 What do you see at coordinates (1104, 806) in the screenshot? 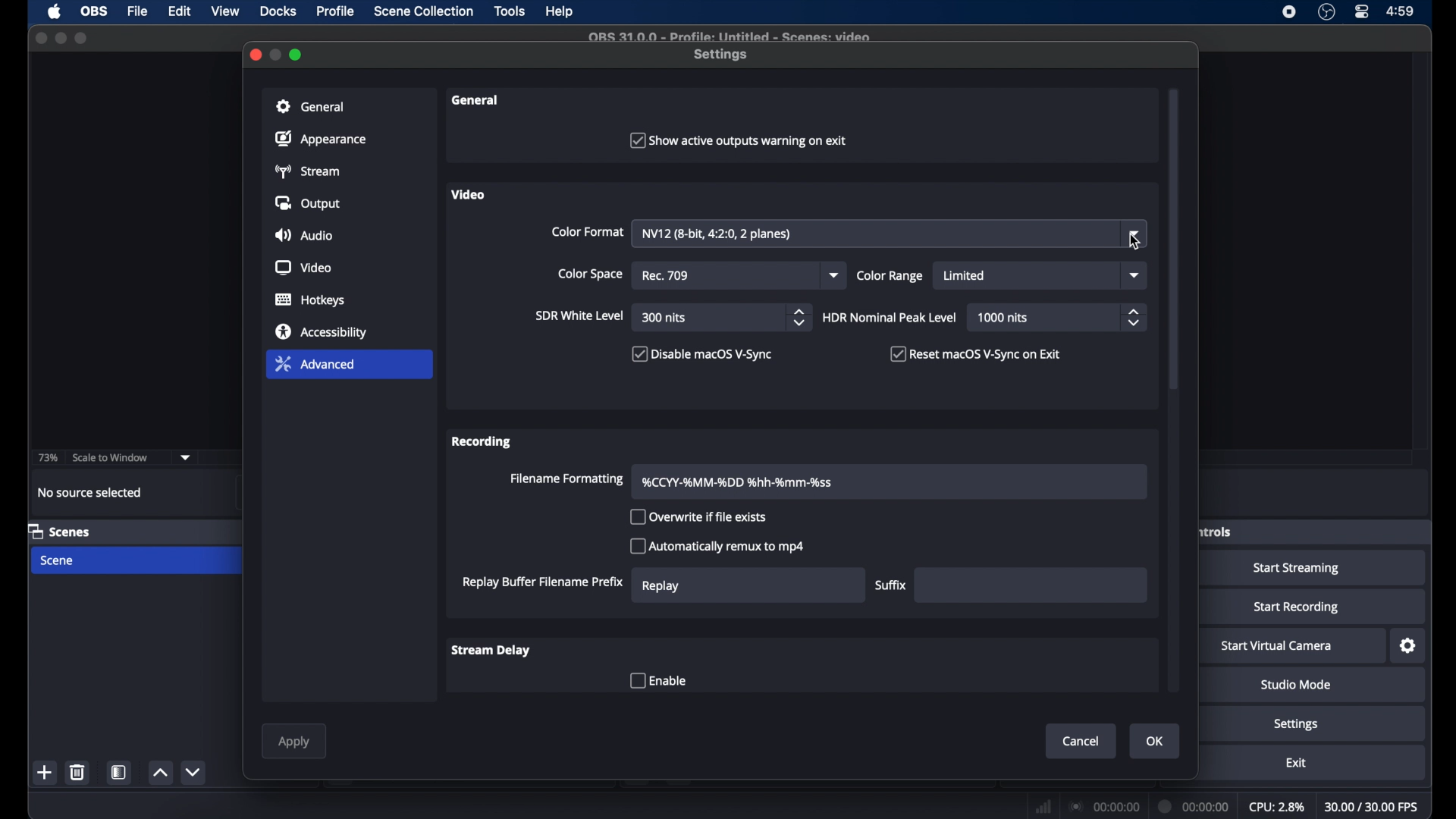
I see `00:00:00` at bounding box center [1104, 806].